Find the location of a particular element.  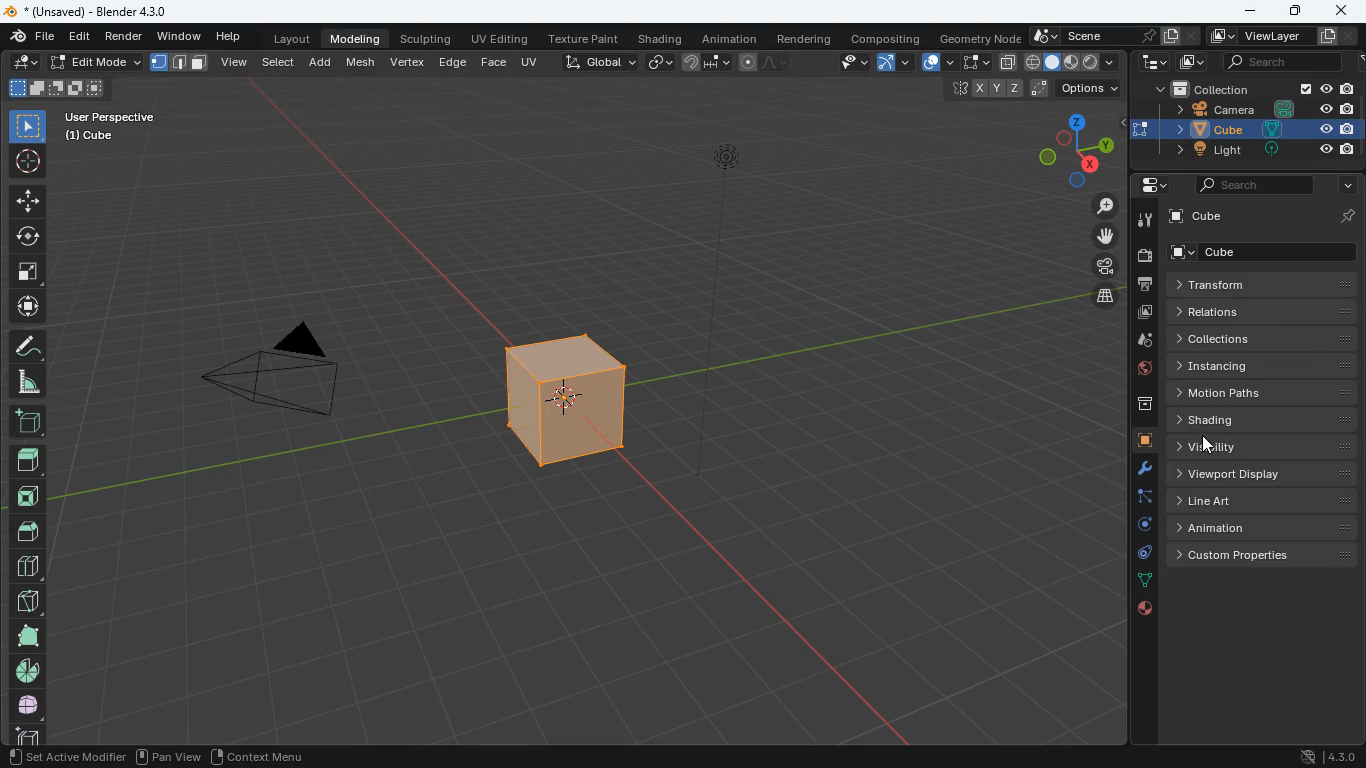

face is located at coordinates (493, 63).